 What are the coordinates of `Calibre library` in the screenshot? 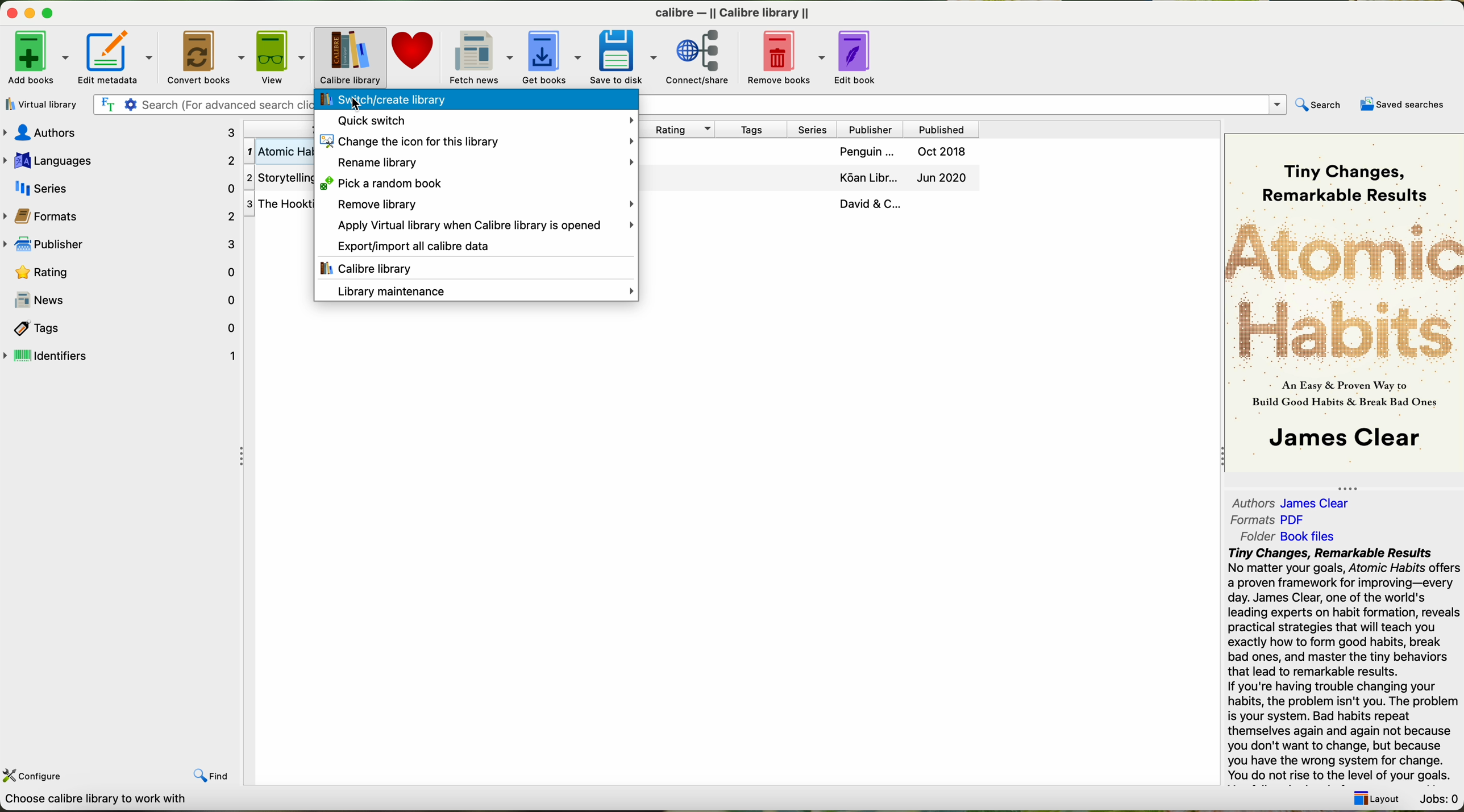 It's located at (369, 268).